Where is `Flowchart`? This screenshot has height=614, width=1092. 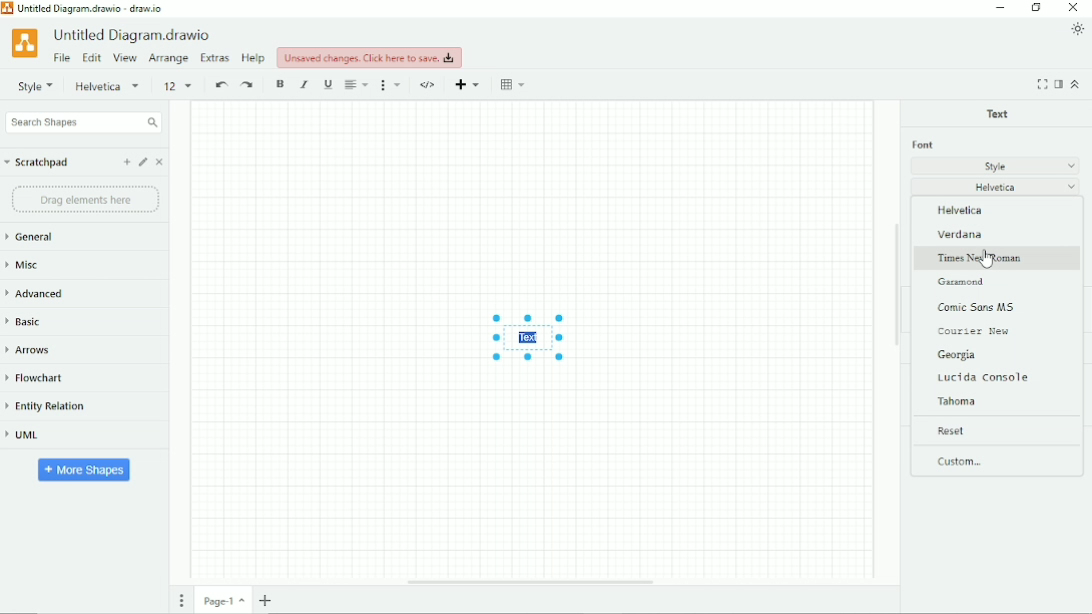
Flowchart is located at coordinates (40, 378).